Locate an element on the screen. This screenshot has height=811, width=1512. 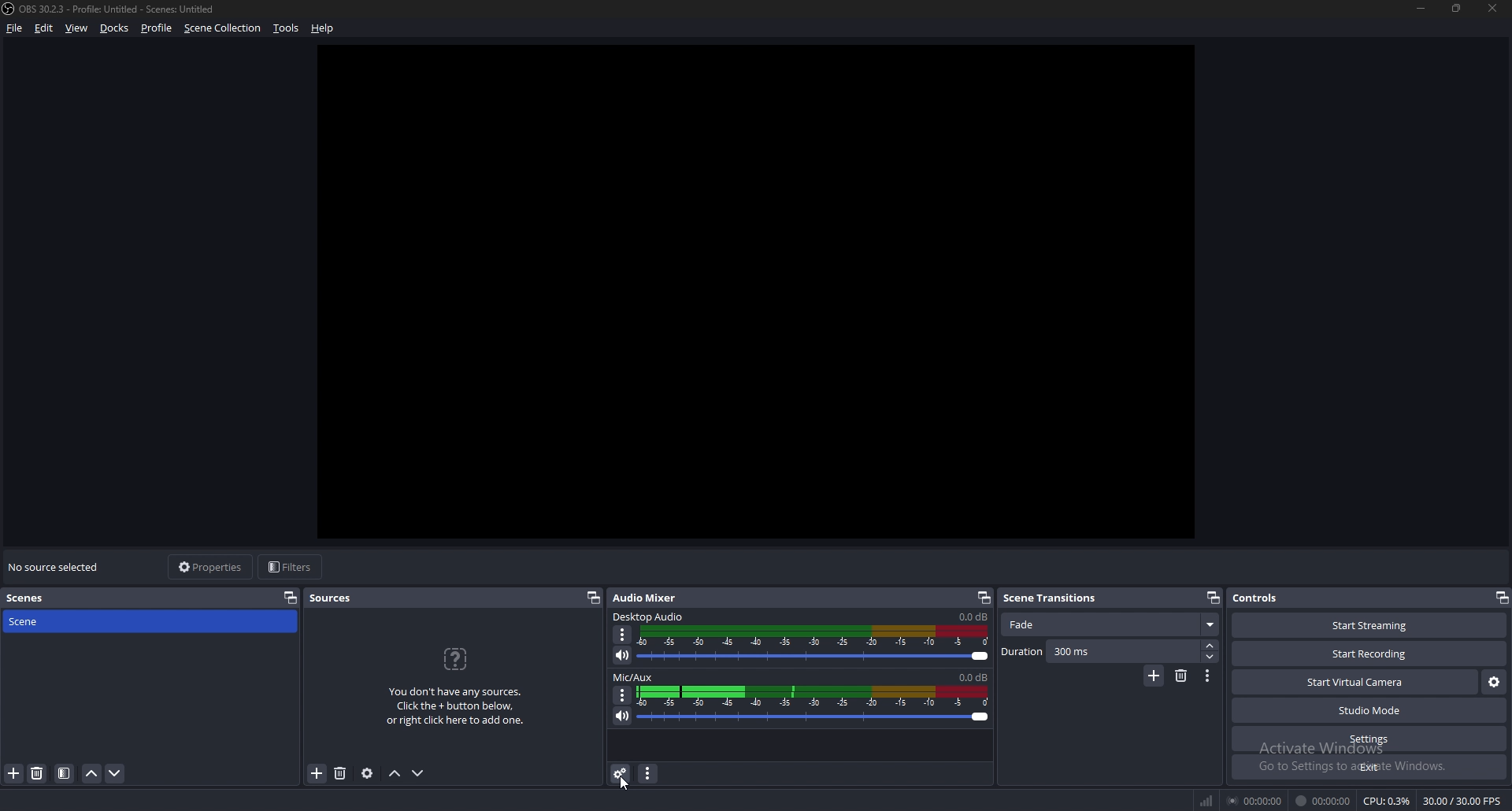
sources is located at coordinates (337, 598).